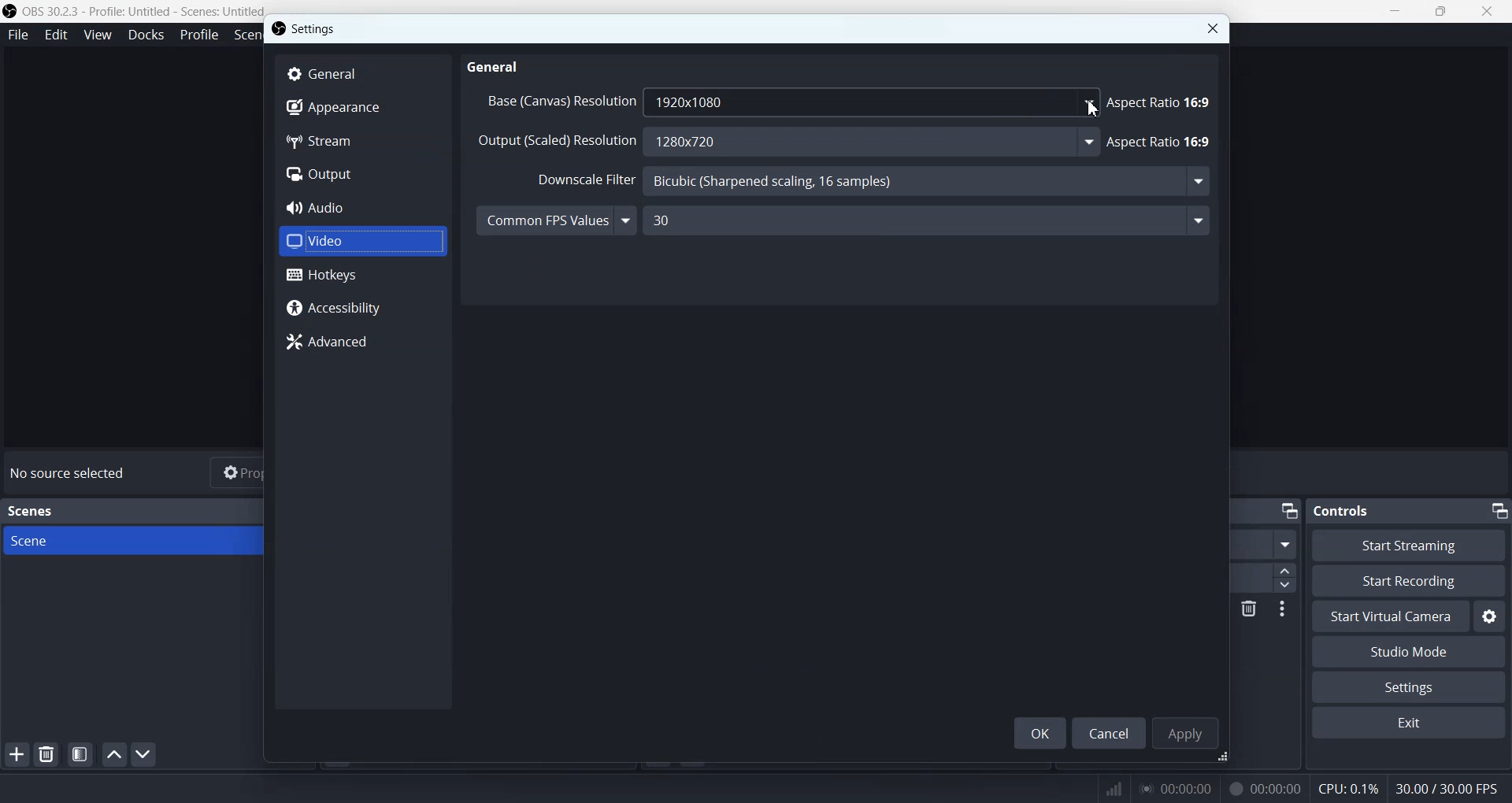 The width and height of the screenshot is (1512, 803). I want to click on Move scene up, so click(113, 754).